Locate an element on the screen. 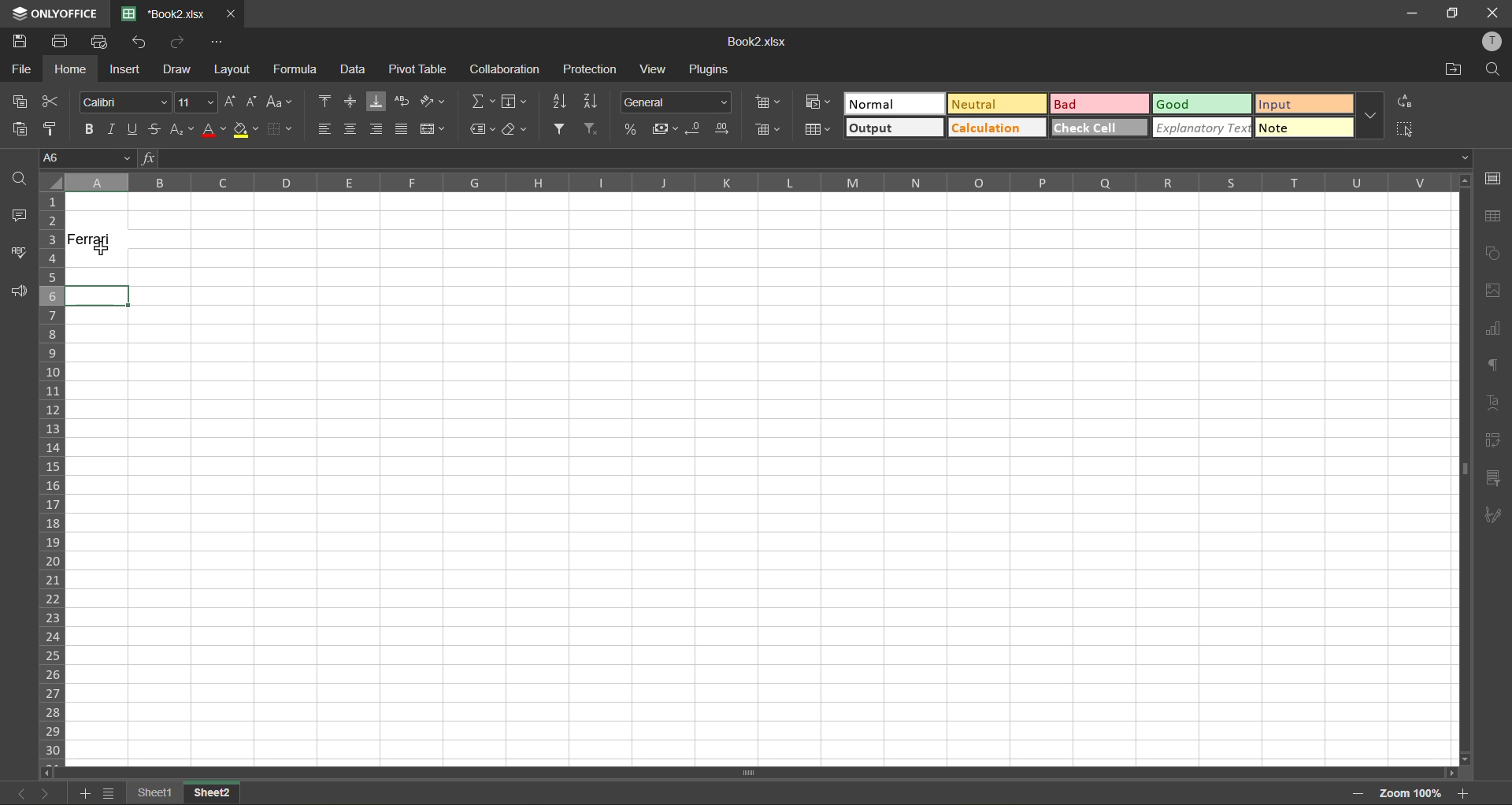 This screenshot has width=1512, height=805. protection is located at coordinates (591, 69).